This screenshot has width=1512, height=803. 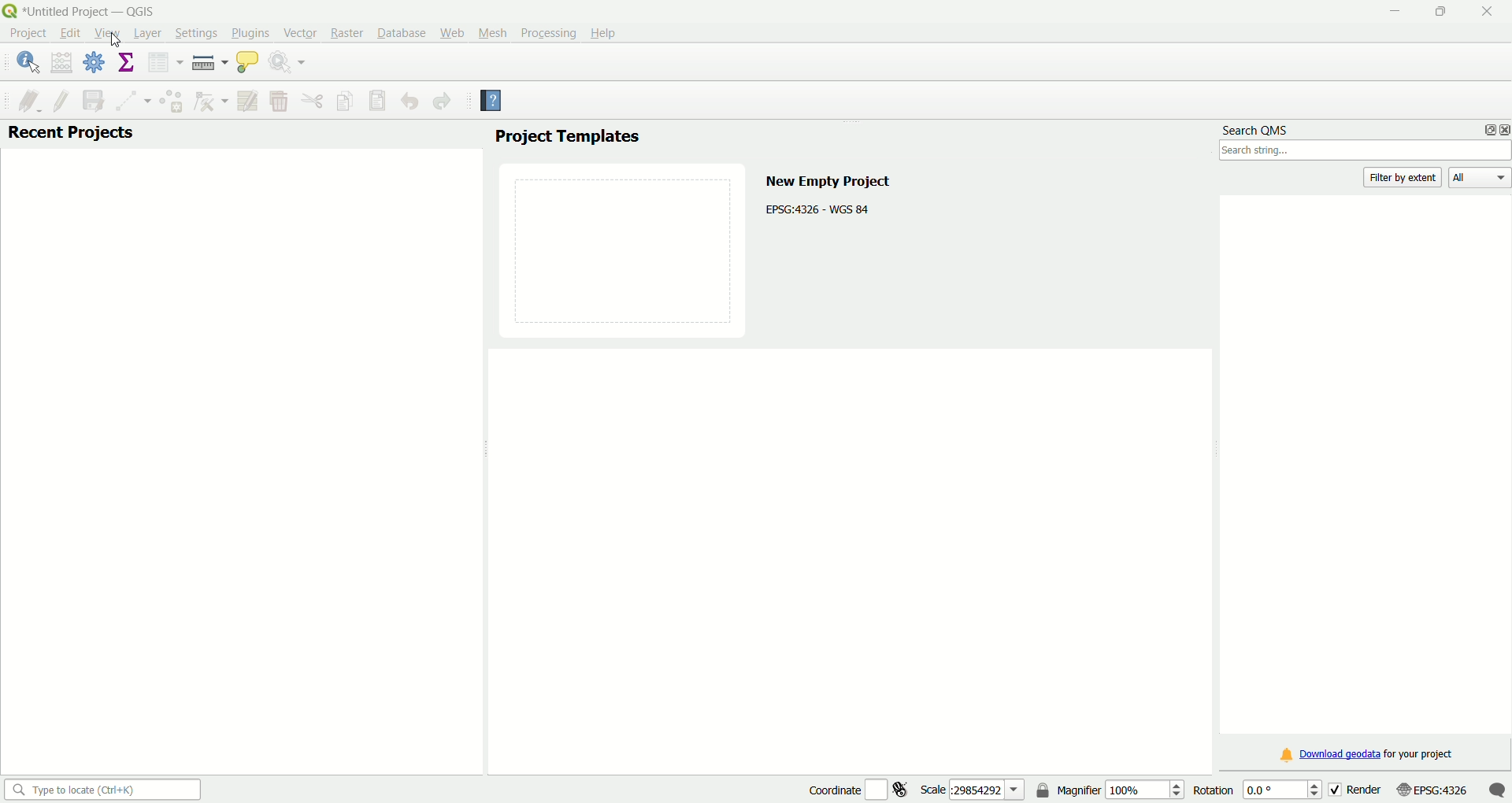 I want to click on magnifier, so click(x=1121, y=789).